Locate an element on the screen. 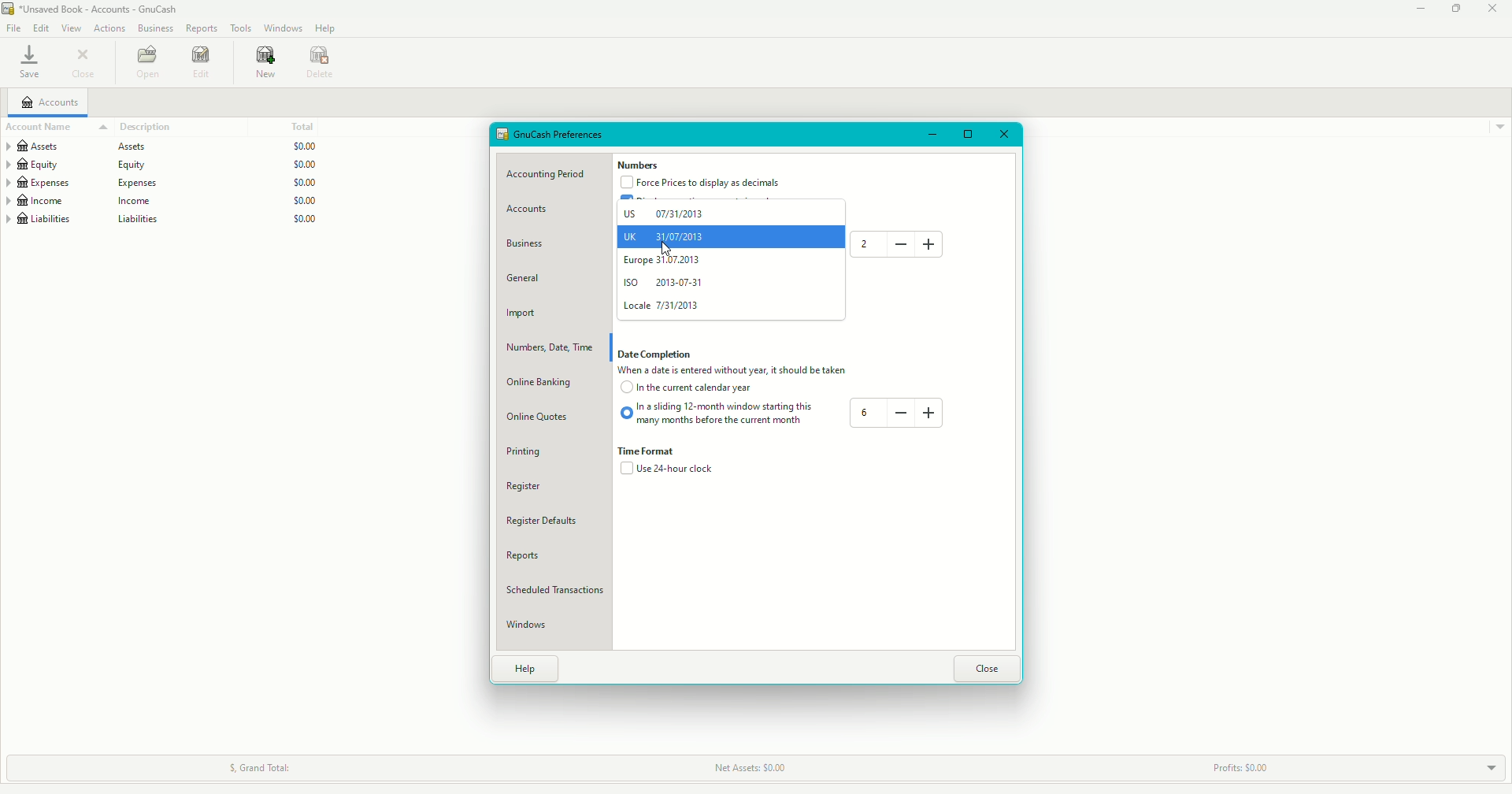 The width and height of the screenshot is (1512, 794). Register is located at coordinates (535, 487).